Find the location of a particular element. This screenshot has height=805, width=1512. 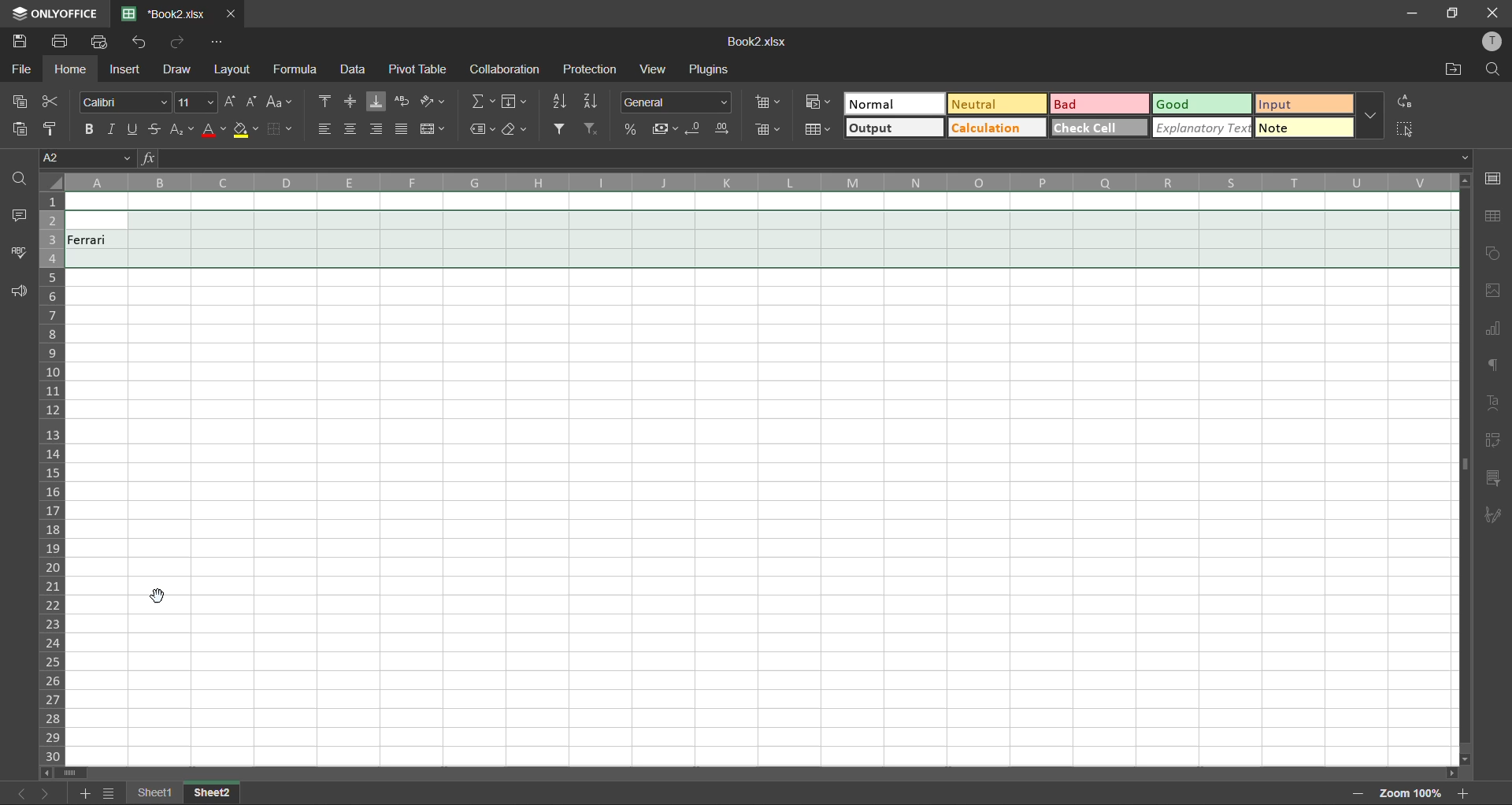

undo is located at coordinates (139, 43).